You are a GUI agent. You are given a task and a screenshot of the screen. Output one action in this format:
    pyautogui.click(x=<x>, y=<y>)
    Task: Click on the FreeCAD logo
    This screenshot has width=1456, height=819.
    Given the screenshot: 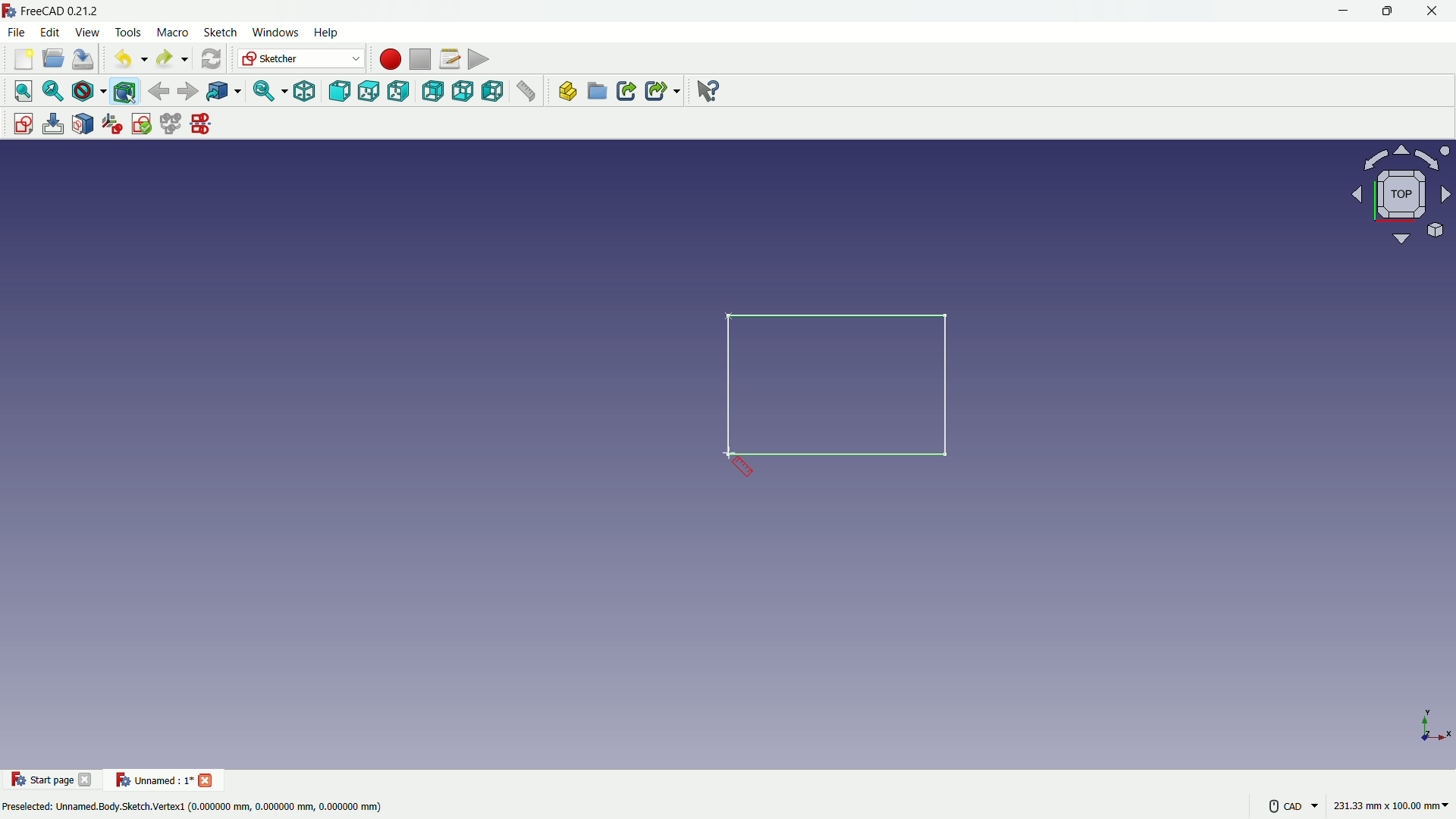 What is the action you would take?
    pyautogui.click(x=9, y=11)
    